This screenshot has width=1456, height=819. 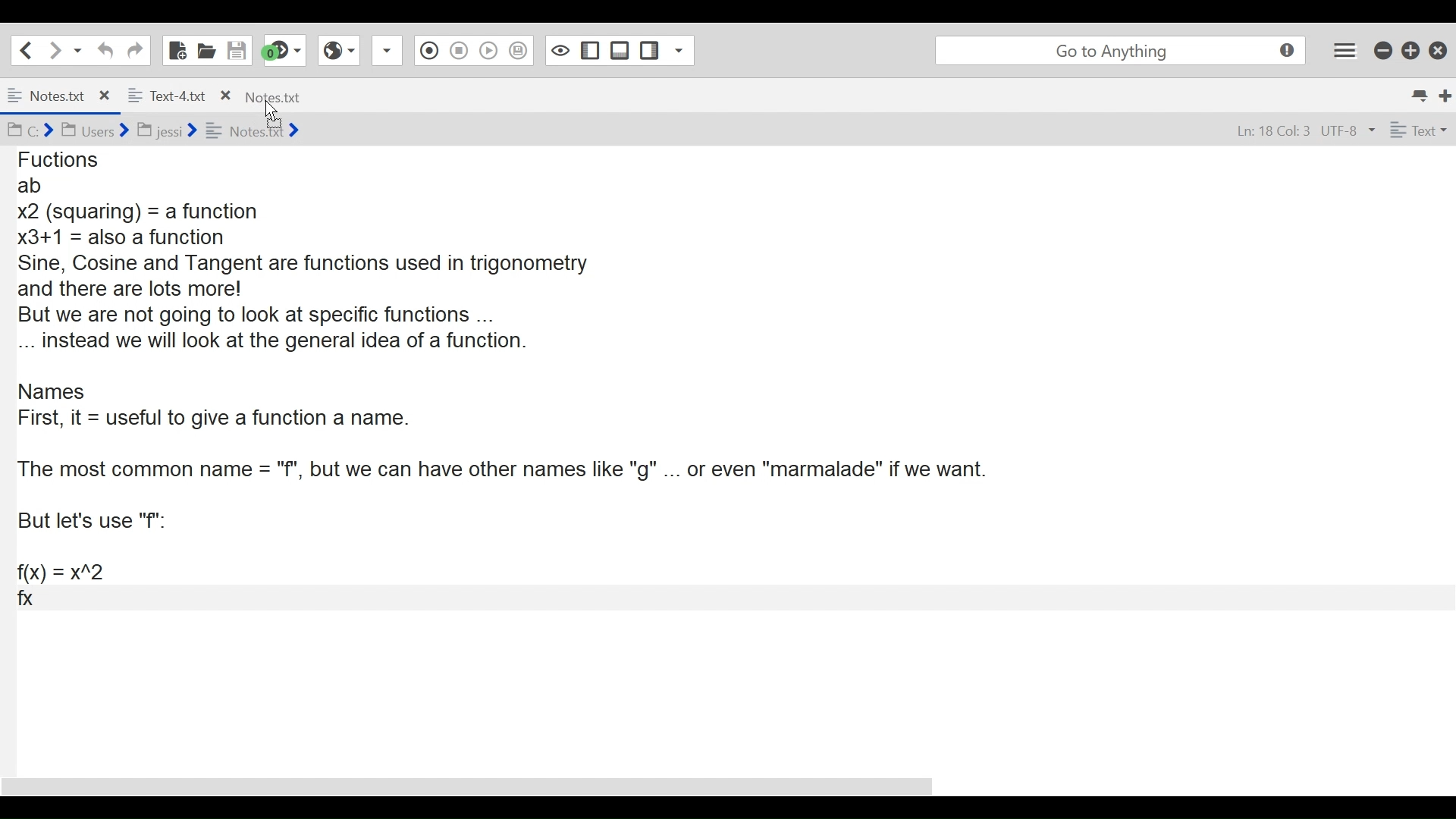 I want to click on horizontal scroll bar, so click(x=485, y=780).